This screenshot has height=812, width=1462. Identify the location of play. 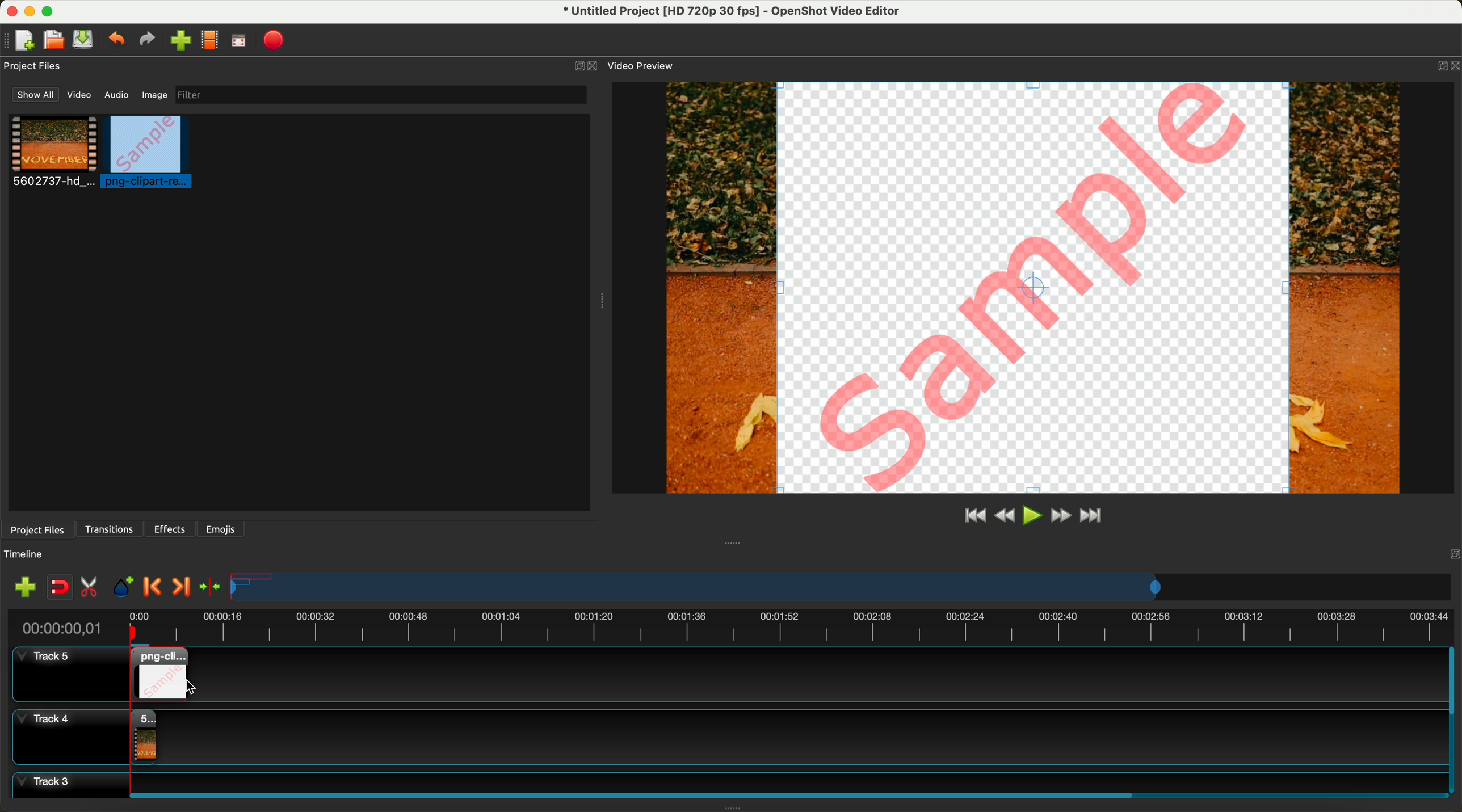
(1032, 515).